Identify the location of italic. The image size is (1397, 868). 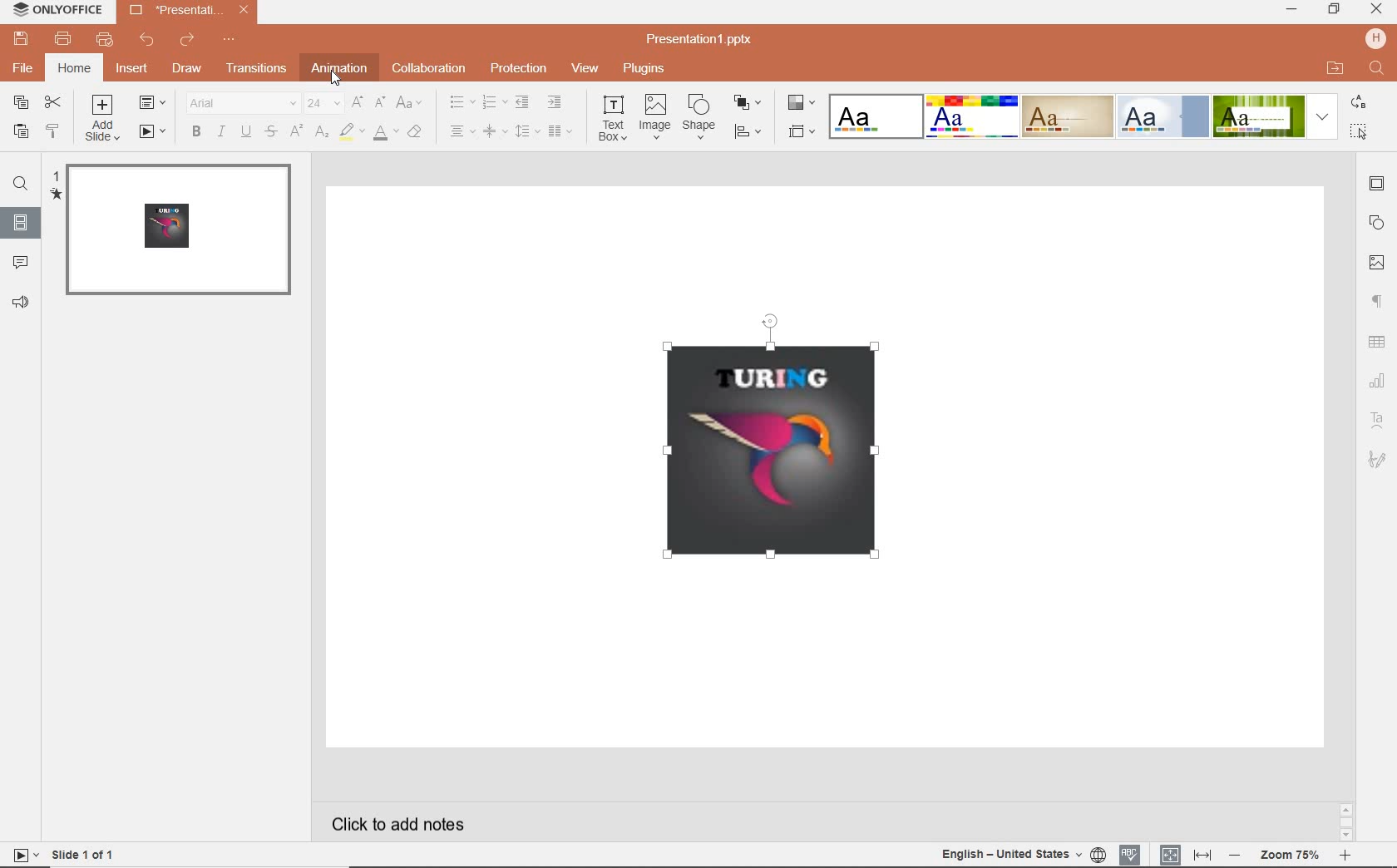
(220, 132).